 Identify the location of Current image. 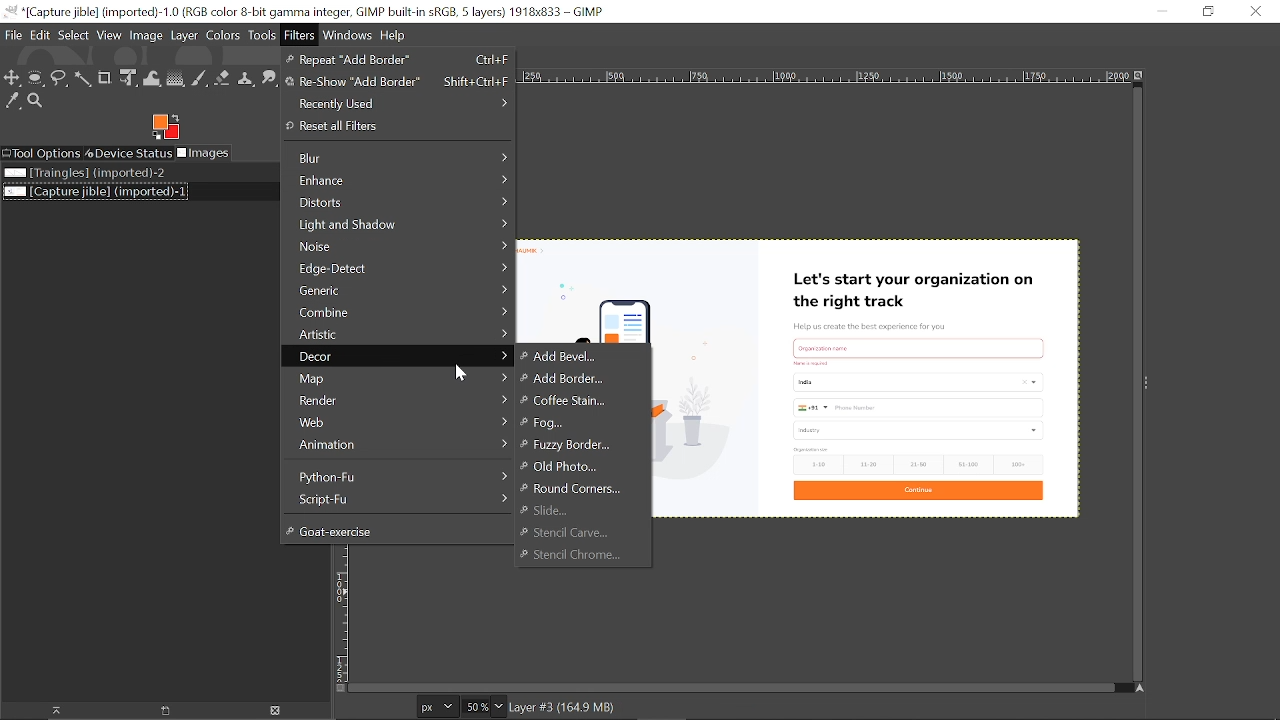
(706, 390).